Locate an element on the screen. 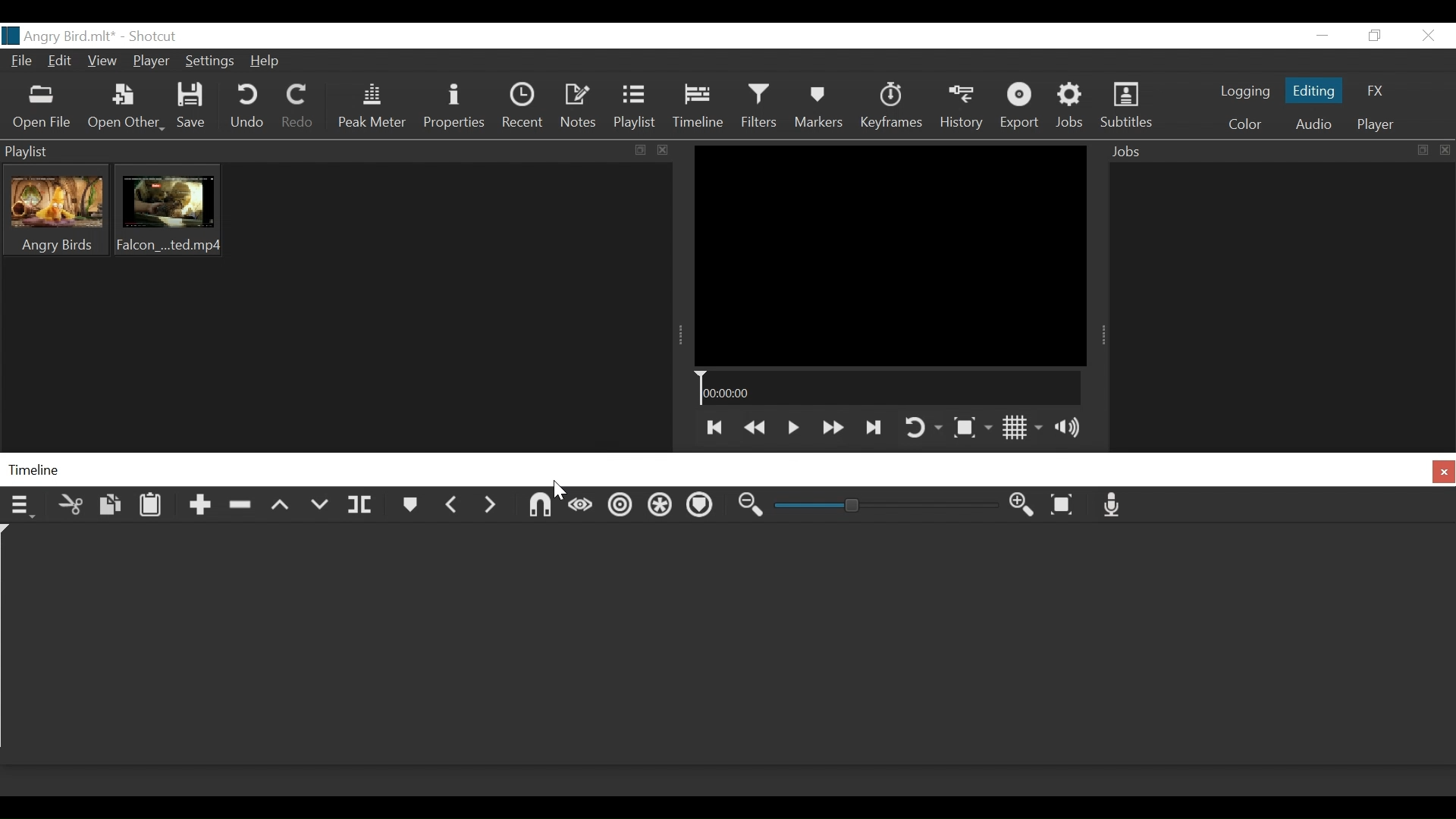 The height and width of the screenshot is (819, 1456). Properties is located at coordinates (453, 107).